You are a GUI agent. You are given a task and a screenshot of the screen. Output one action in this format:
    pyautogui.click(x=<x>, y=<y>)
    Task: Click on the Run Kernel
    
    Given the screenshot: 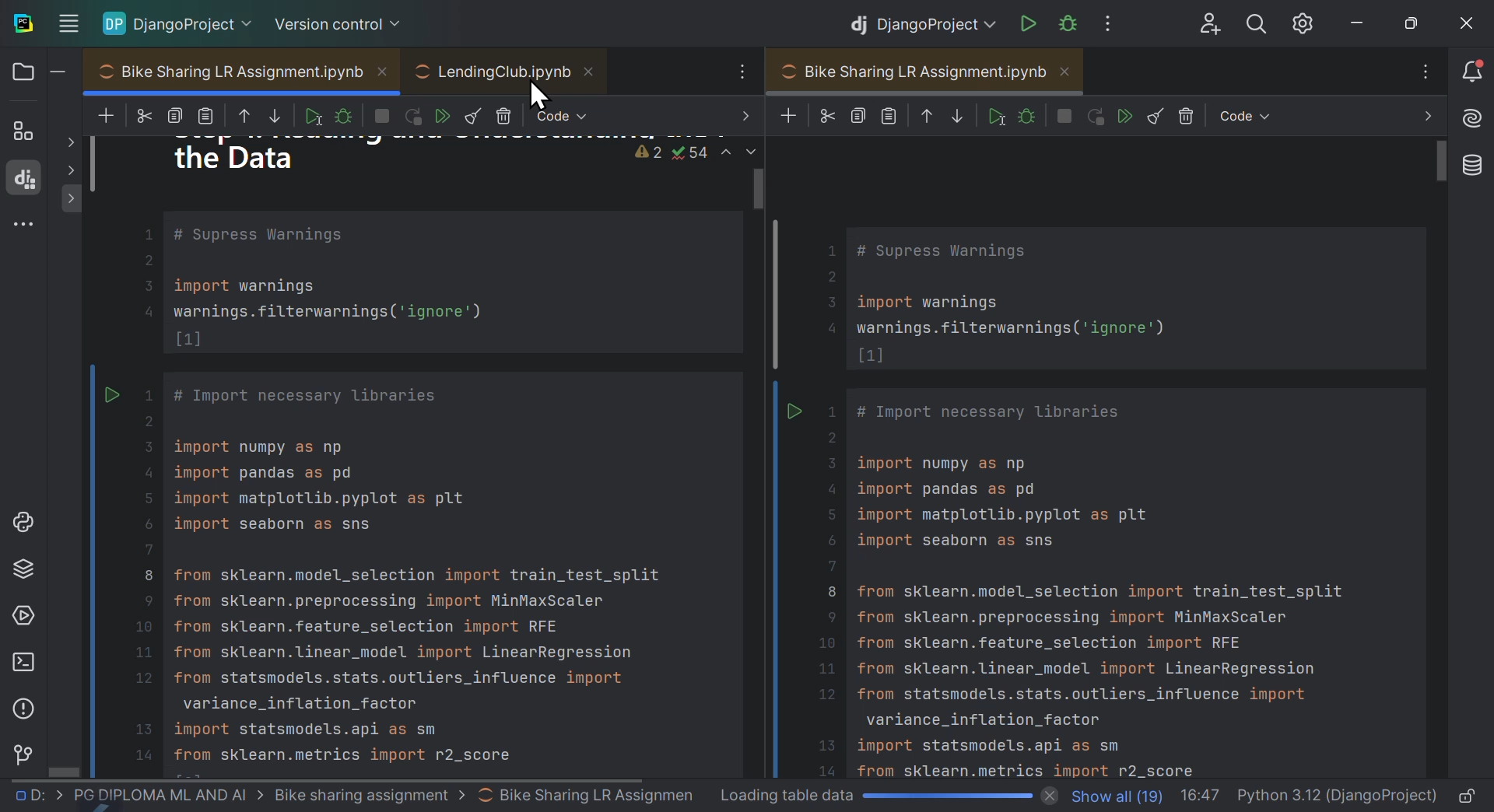 What is the action you would take?
    pyautogui.click(x=415, y=114)
    